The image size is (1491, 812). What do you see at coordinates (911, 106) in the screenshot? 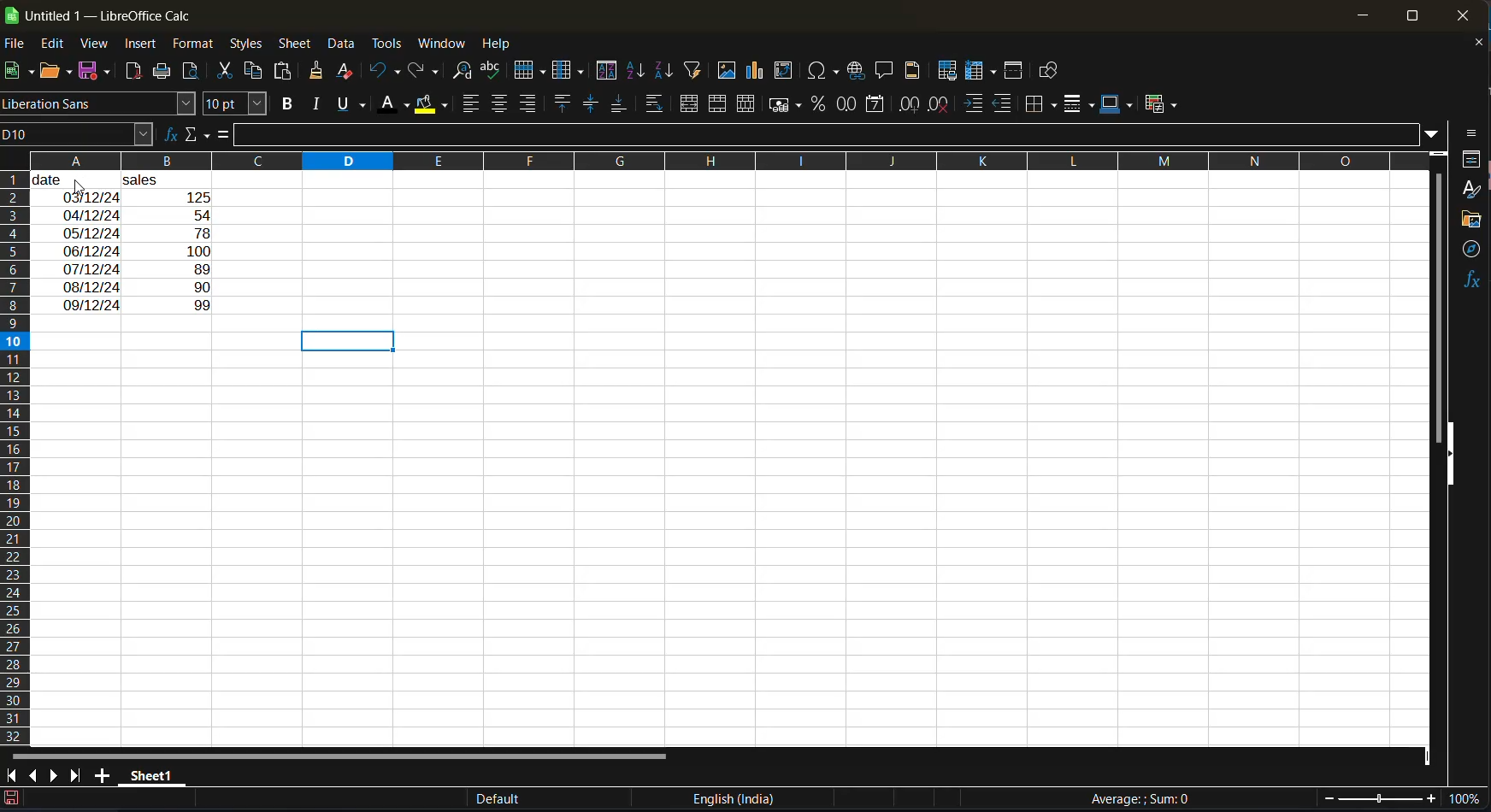
I see `add decimal place` at bounding box center [911, 106].